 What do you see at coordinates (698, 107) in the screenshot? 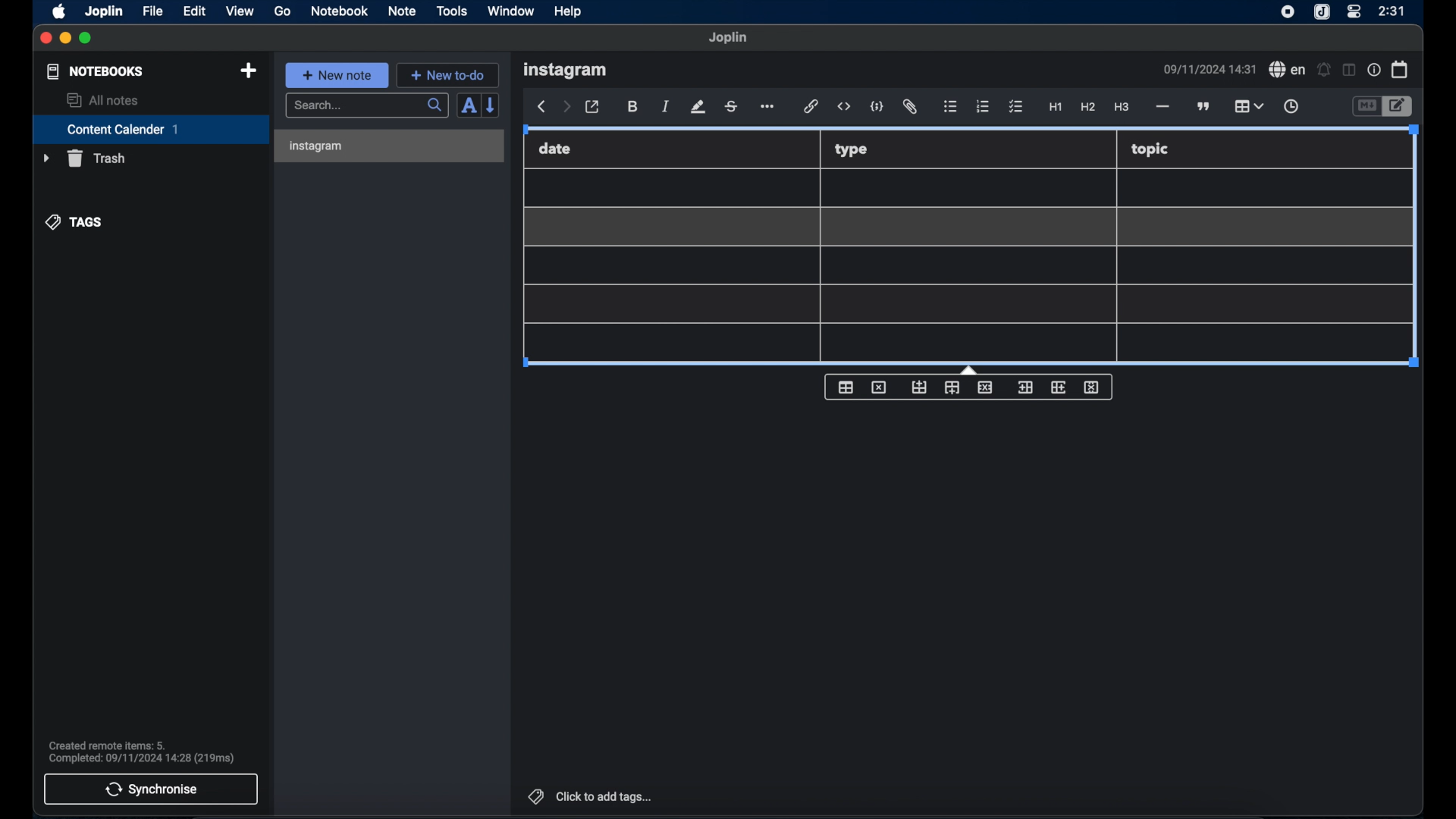
I see `highlight` at bounding box center [698, 107].